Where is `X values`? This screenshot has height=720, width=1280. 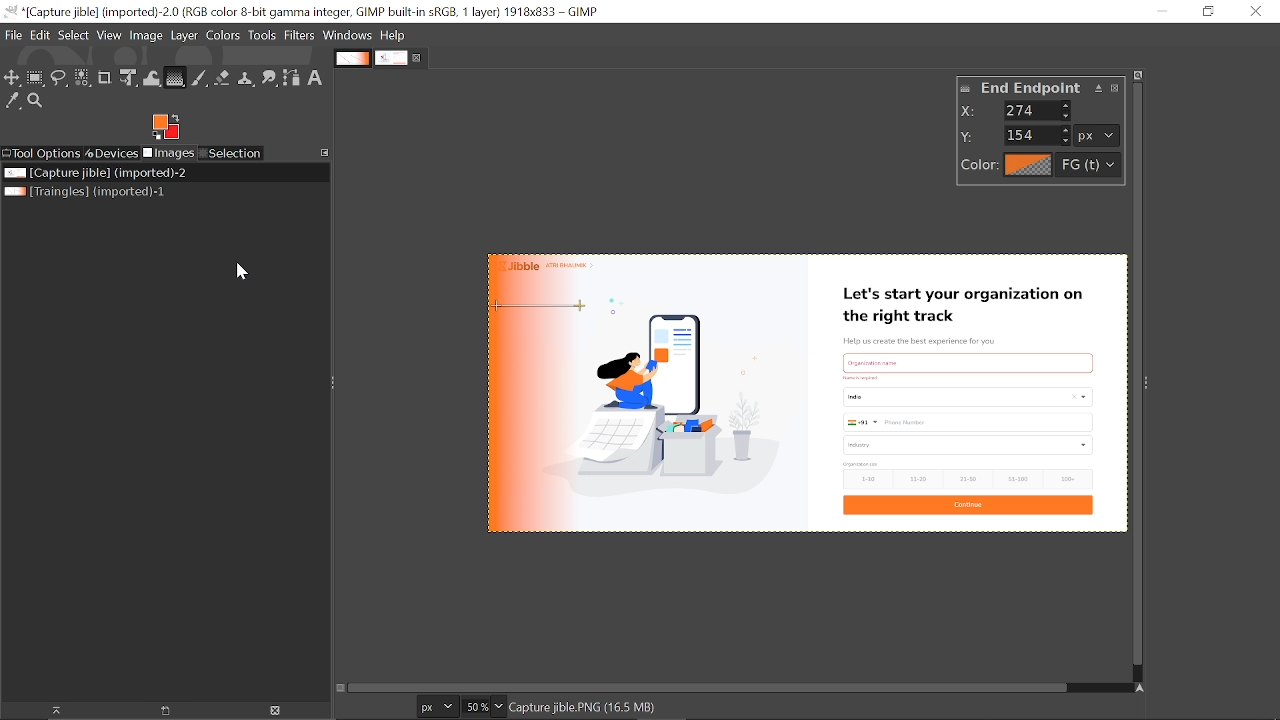 X values is located at coordinates (1039, 110).